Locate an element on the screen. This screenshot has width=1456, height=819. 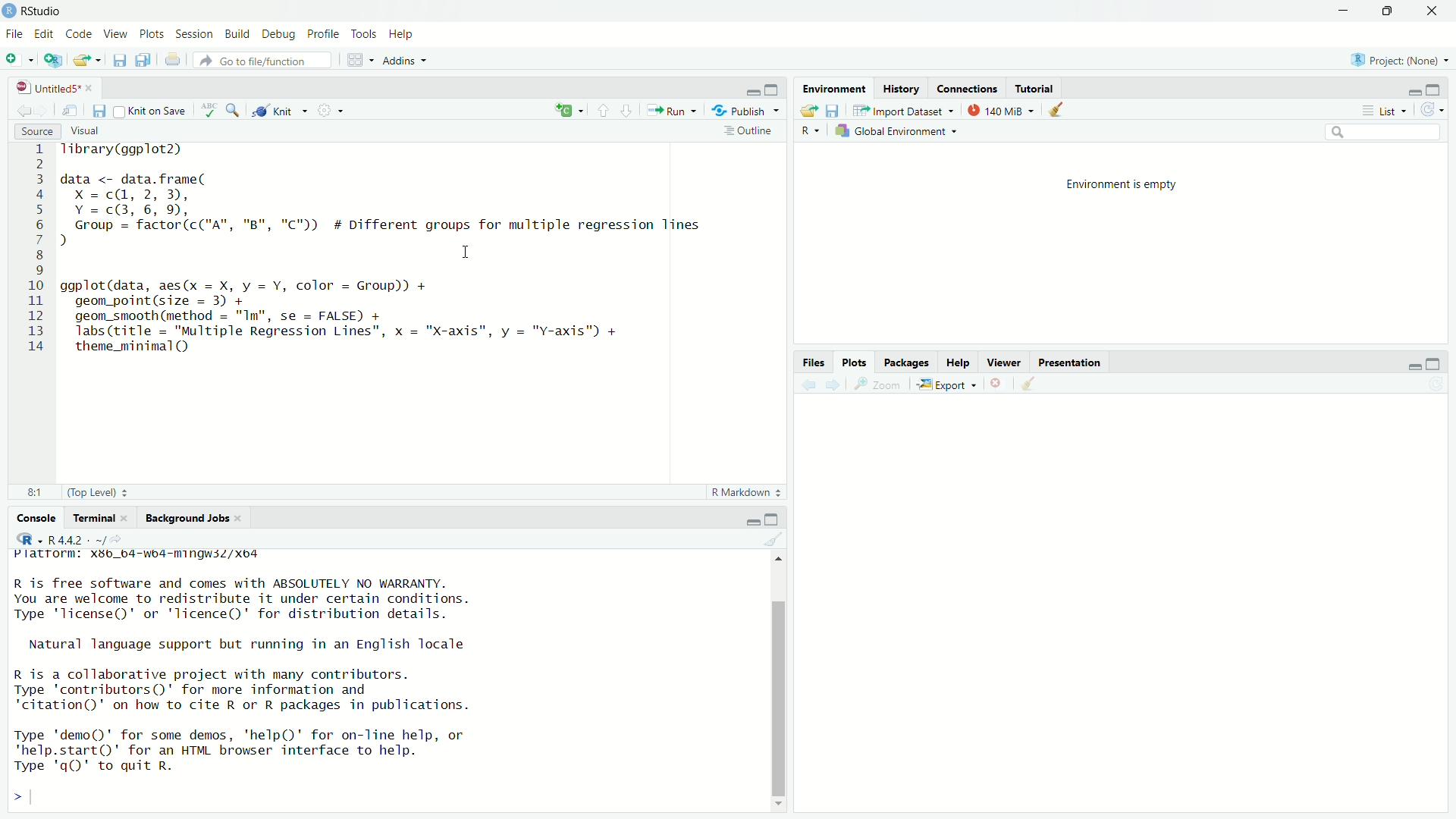
back is located at coordinates (20, 111).